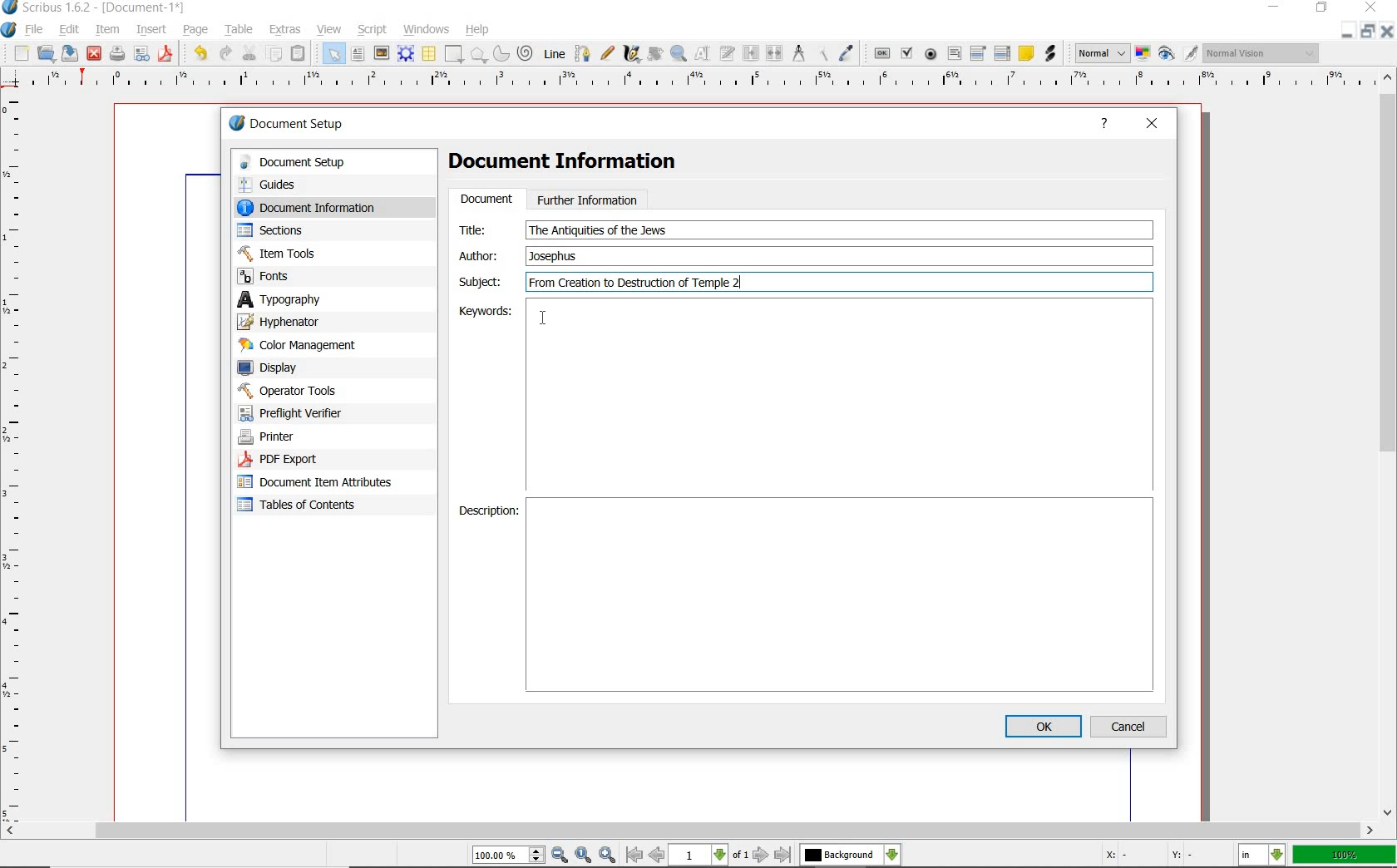 This screenshot has width=1397, height=868. I want to click on fonts, so click(315, 277).